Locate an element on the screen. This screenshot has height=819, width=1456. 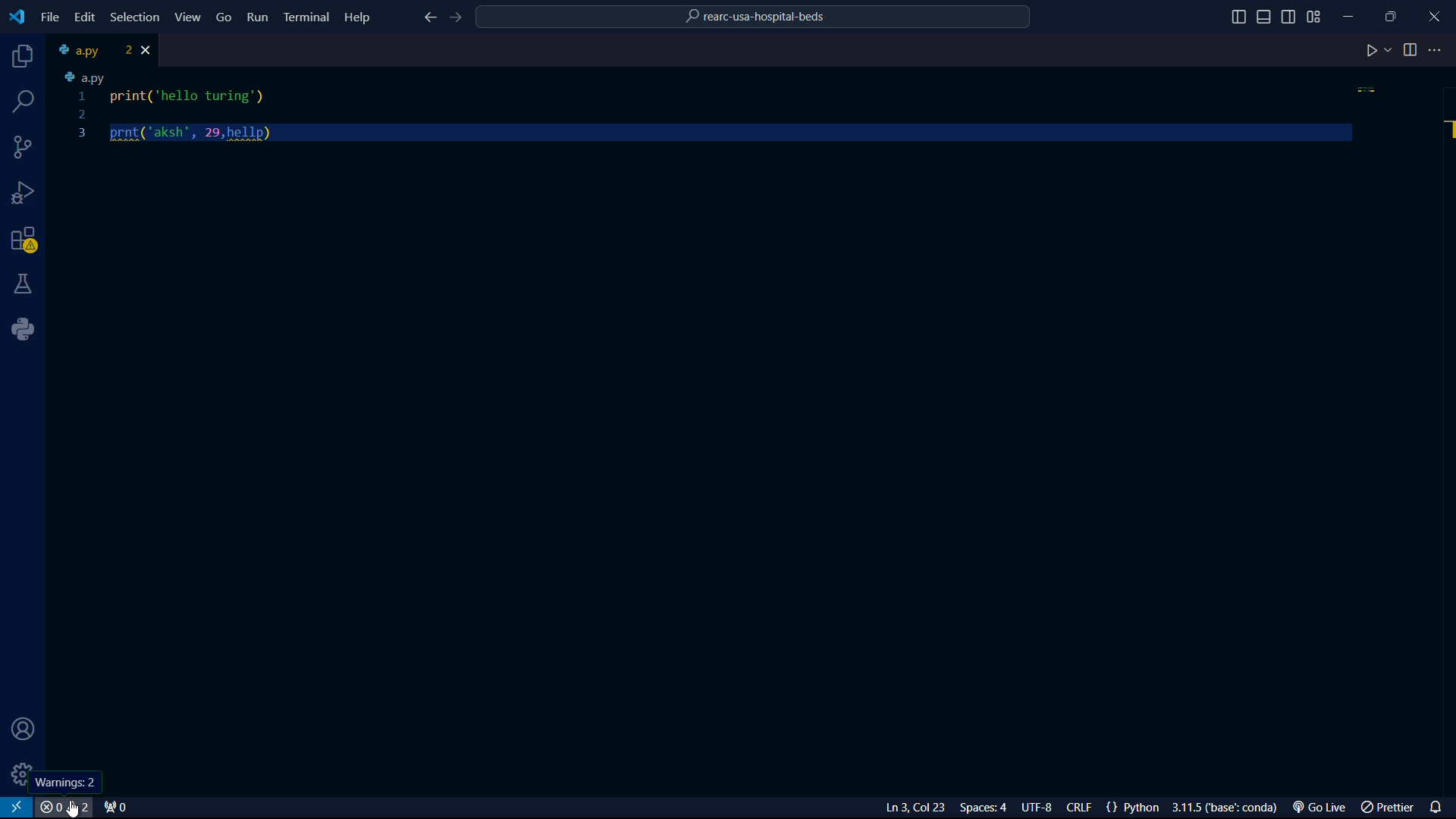
toggle sidebar is located at coordinates (1238, 17).